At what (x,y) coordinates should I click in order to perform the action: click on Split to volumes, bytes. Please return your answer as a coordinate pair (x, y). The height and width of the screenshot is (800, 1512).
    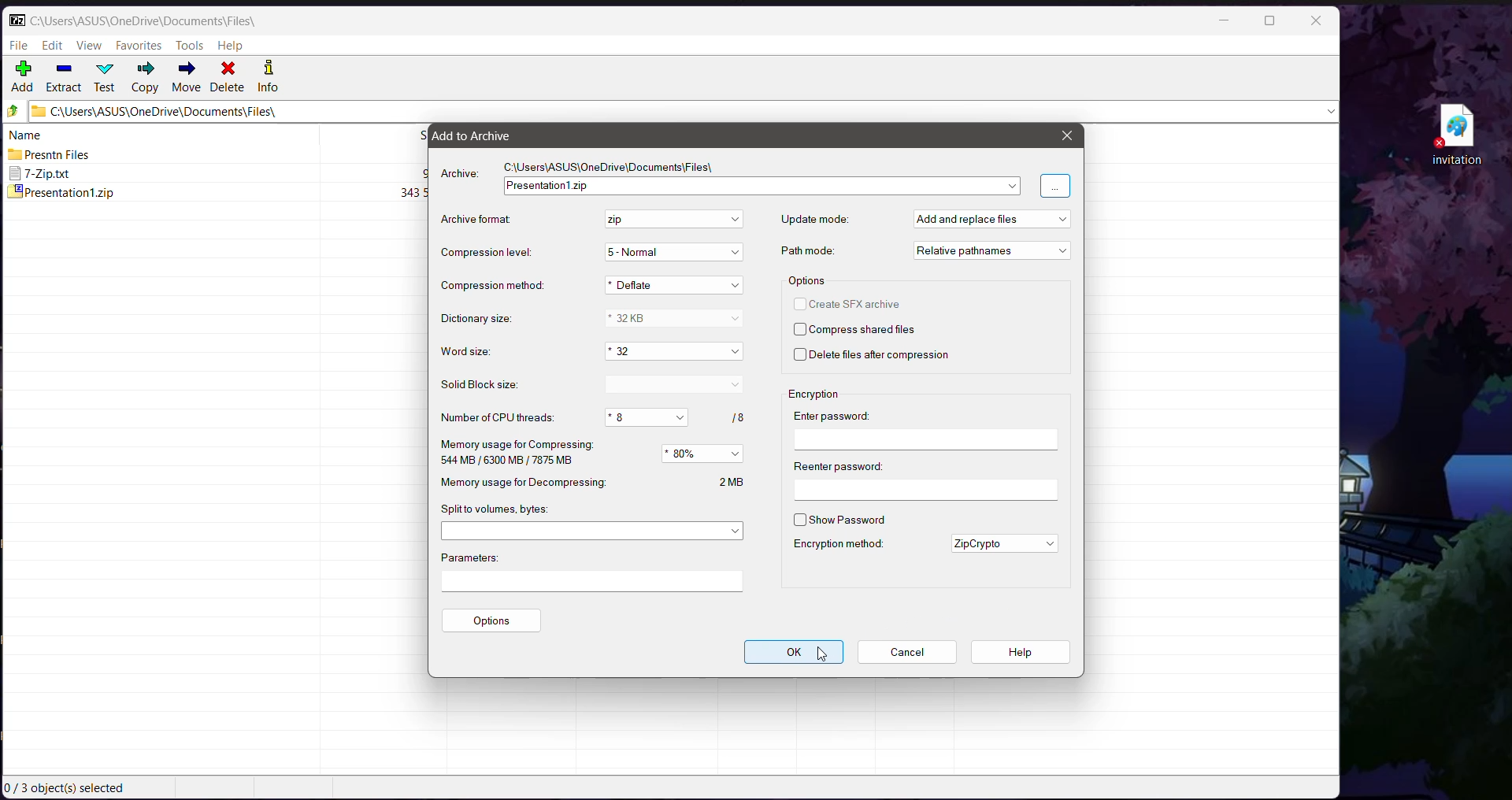
    Looking at the image, I should click on (496, 509).